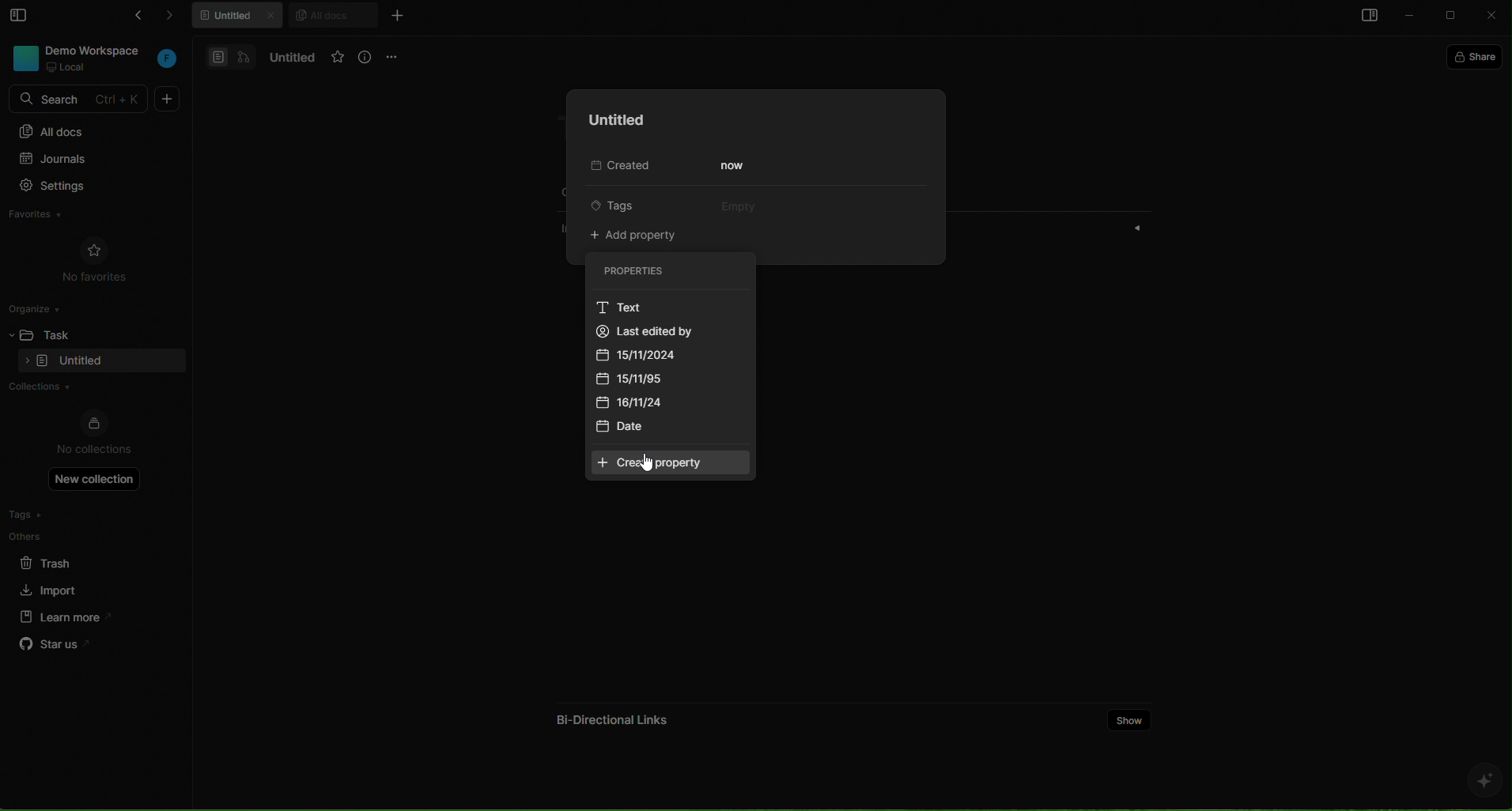  Describe the element at coordinates (637, 405) in the screenshot. I see `14/11/24` at that location.